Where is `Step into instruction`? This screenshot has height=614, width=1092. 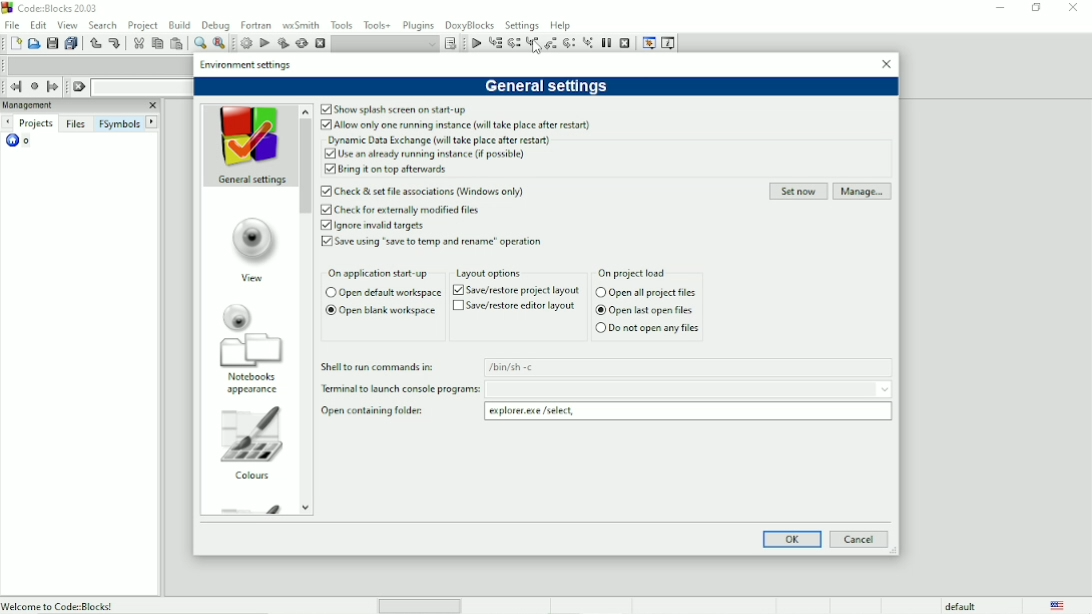
Step into instruction is located at coordinates (588, 43).